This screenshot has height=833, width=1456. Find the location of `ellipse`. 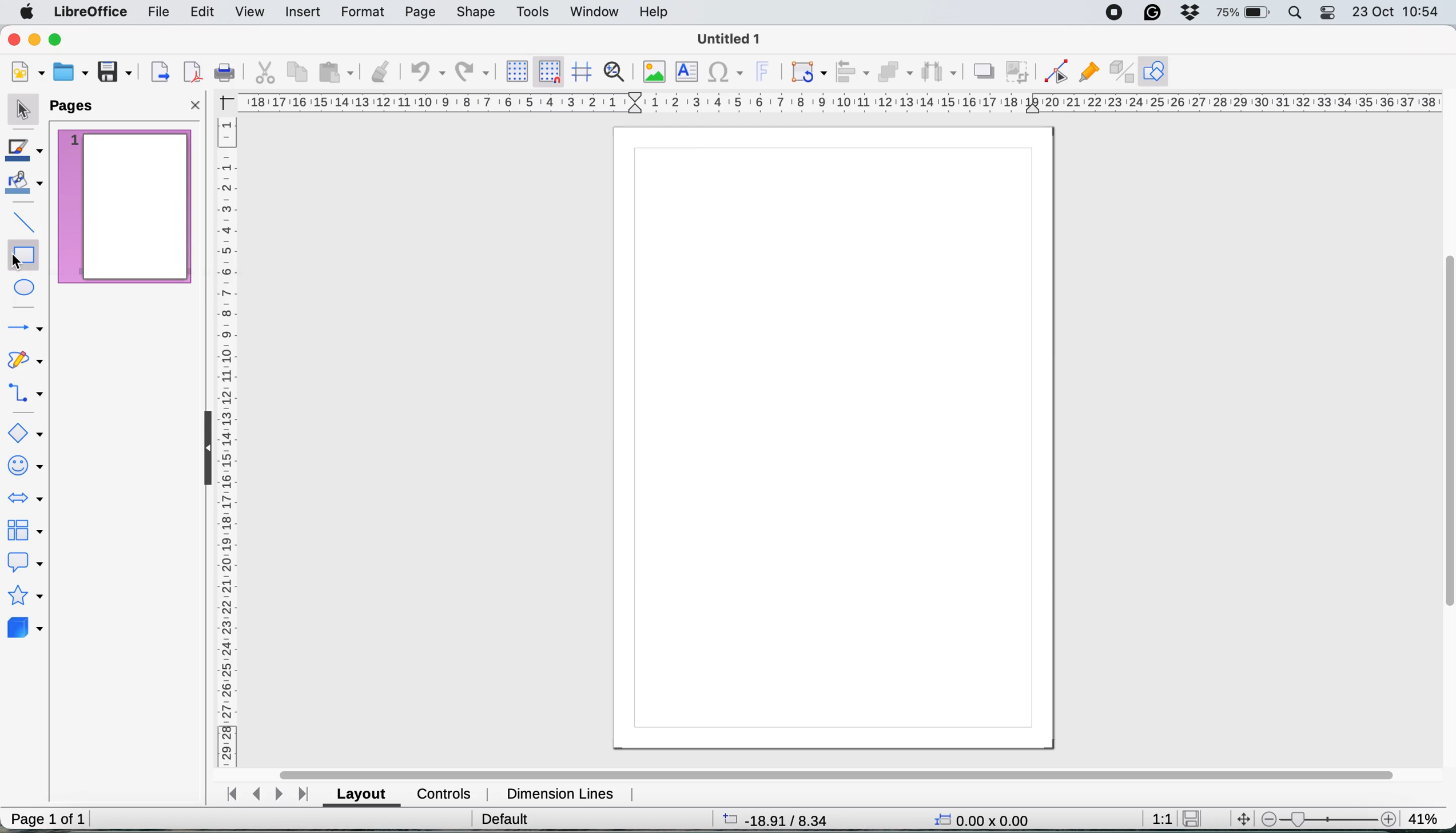

ellipse is located at coordinates (26, 288).